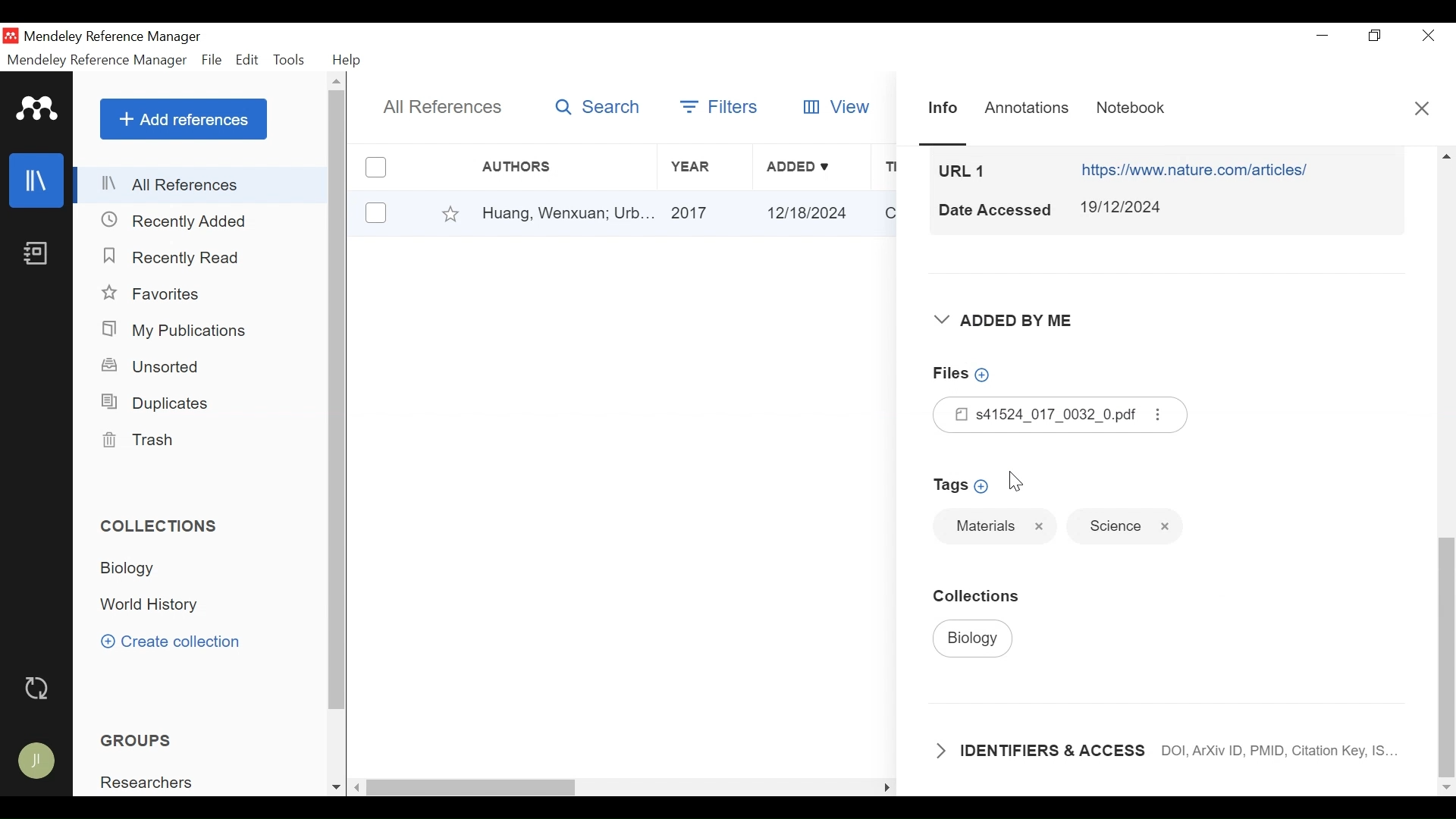 The image size is (1456, 819). What do you see at coordinates (598, 108) in the screenshot?
I see `Search` at bounding box center [598, 108].